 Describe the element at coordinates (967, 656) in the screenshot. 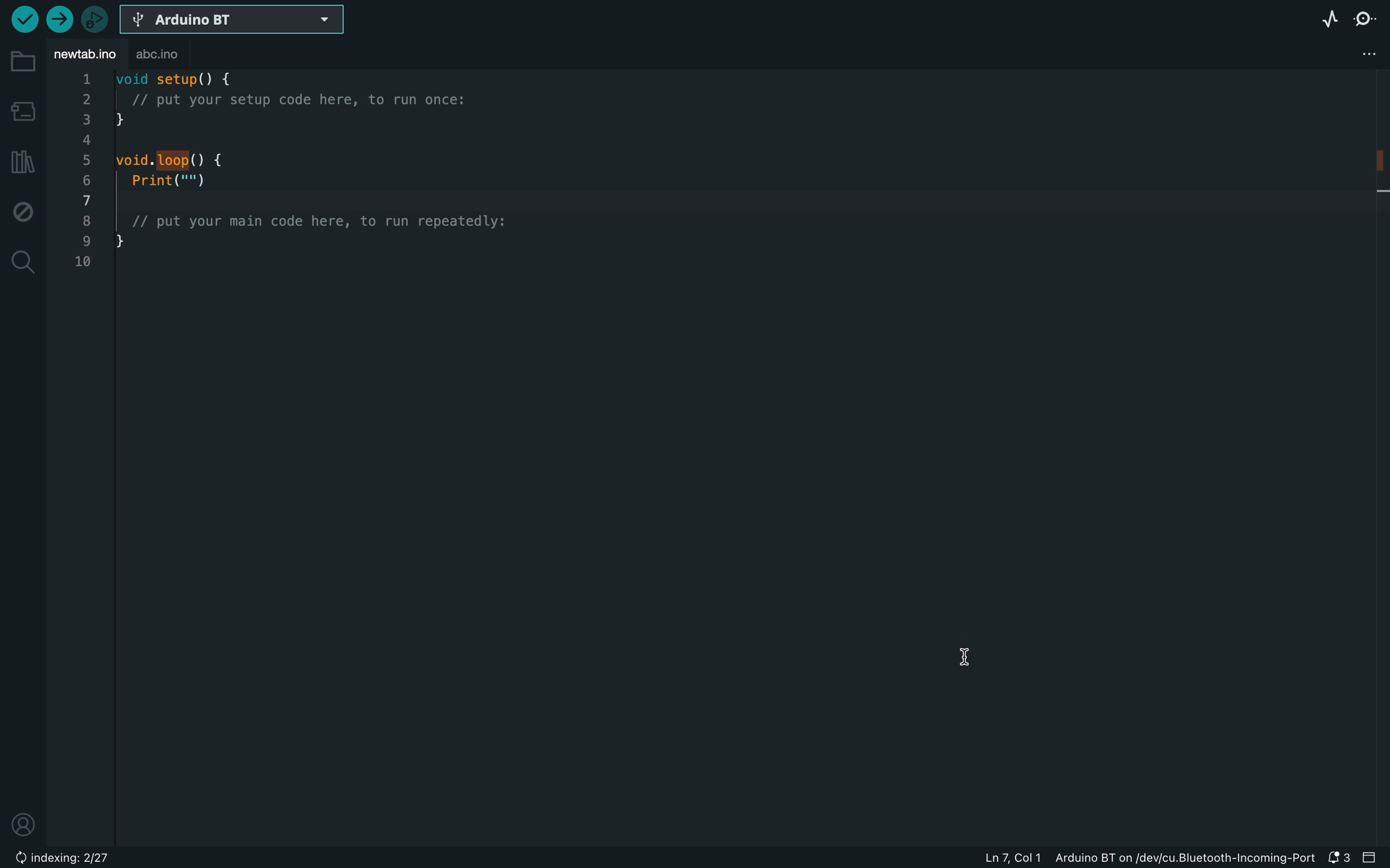

I see `cursor` at that location.